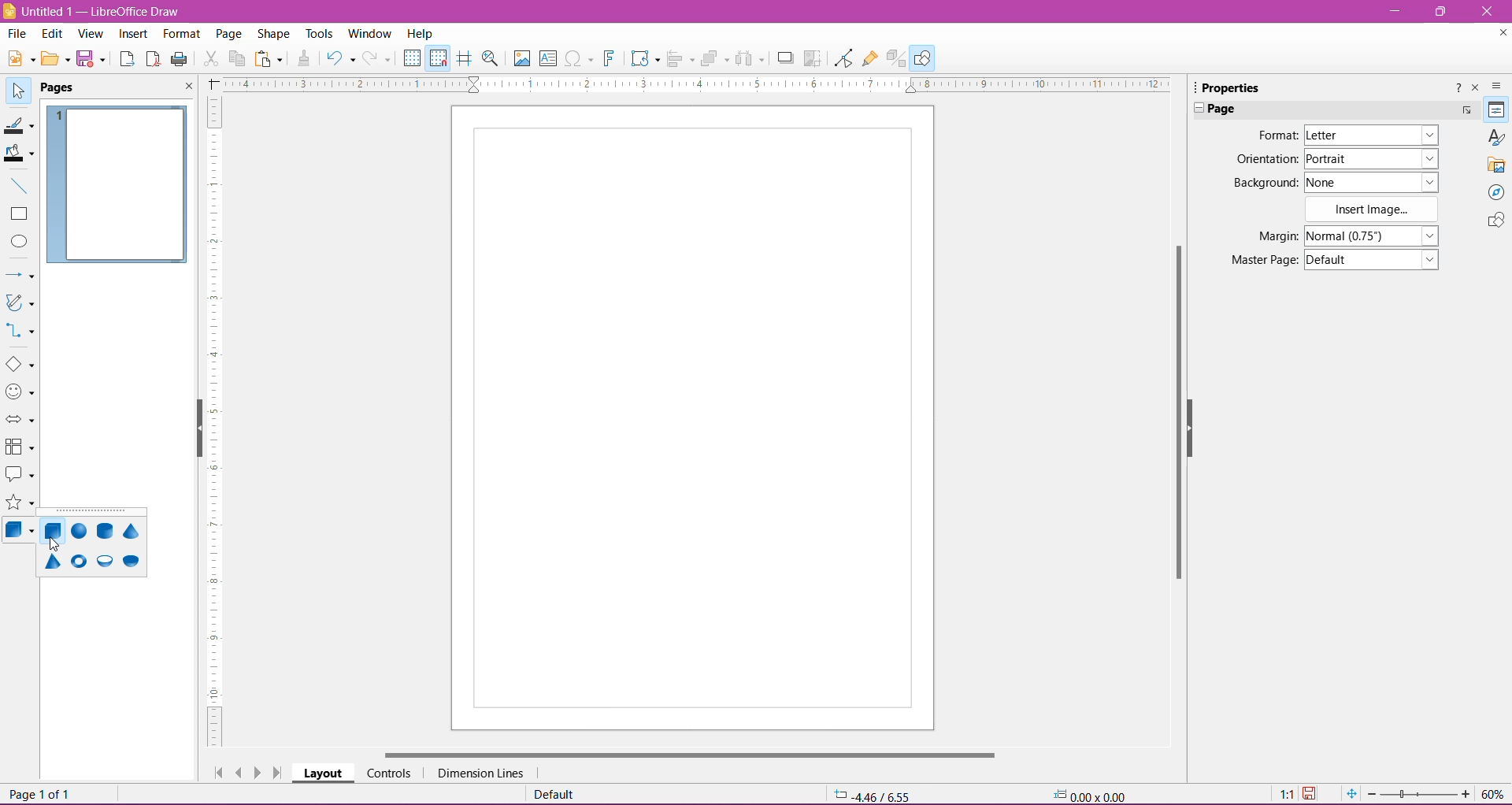 The height and width of the screenshot is (805, 1512). What do you see at coordinates (91, 35) in the screenshot?
I see `View` at bounding box center [91, 35].